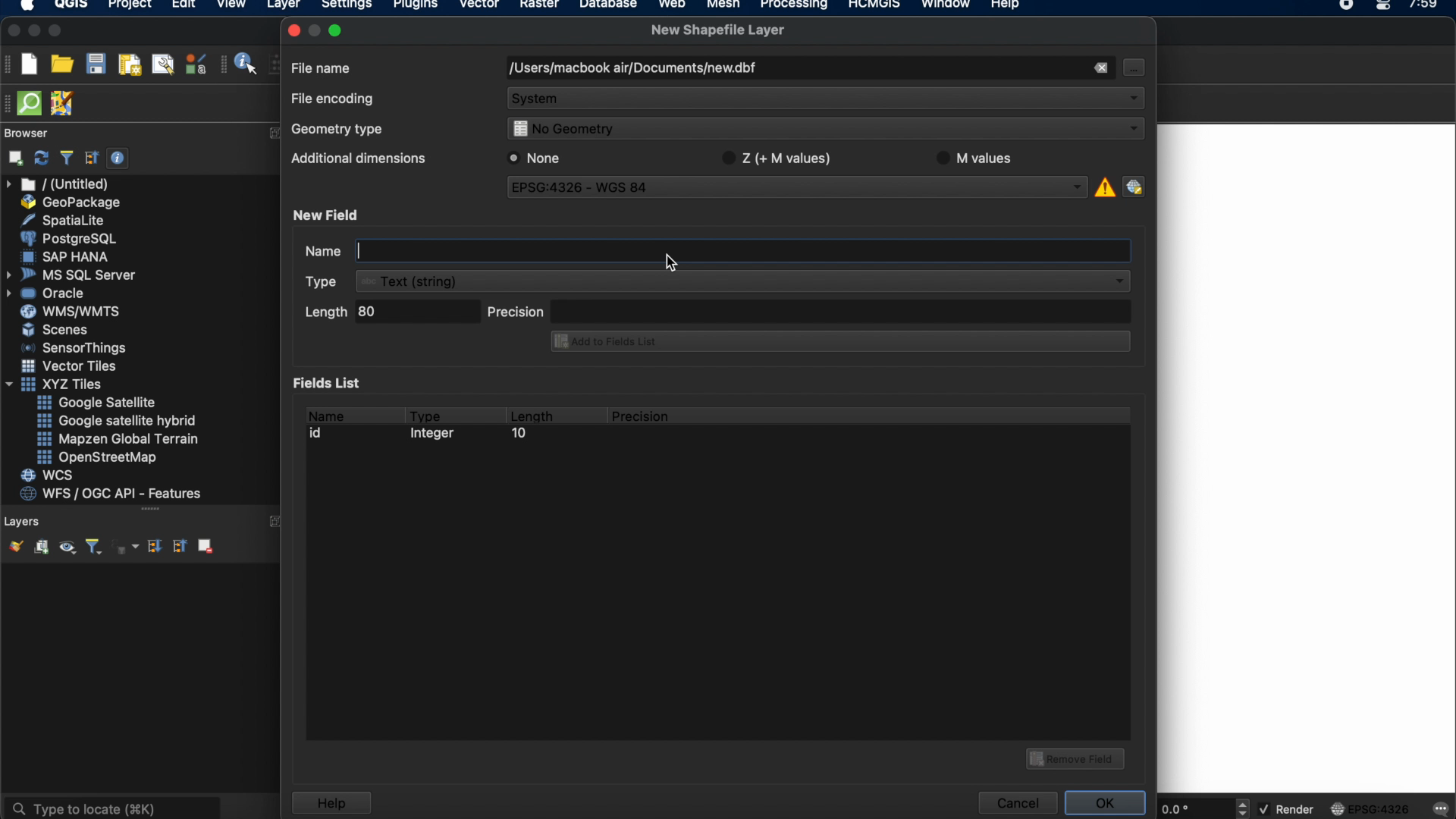 The width and height of the screenshot is (1456, 819). What do you see at coordinates (71, 366) in the screenshot?
I see `vector files` at bounding box center [71, 366].